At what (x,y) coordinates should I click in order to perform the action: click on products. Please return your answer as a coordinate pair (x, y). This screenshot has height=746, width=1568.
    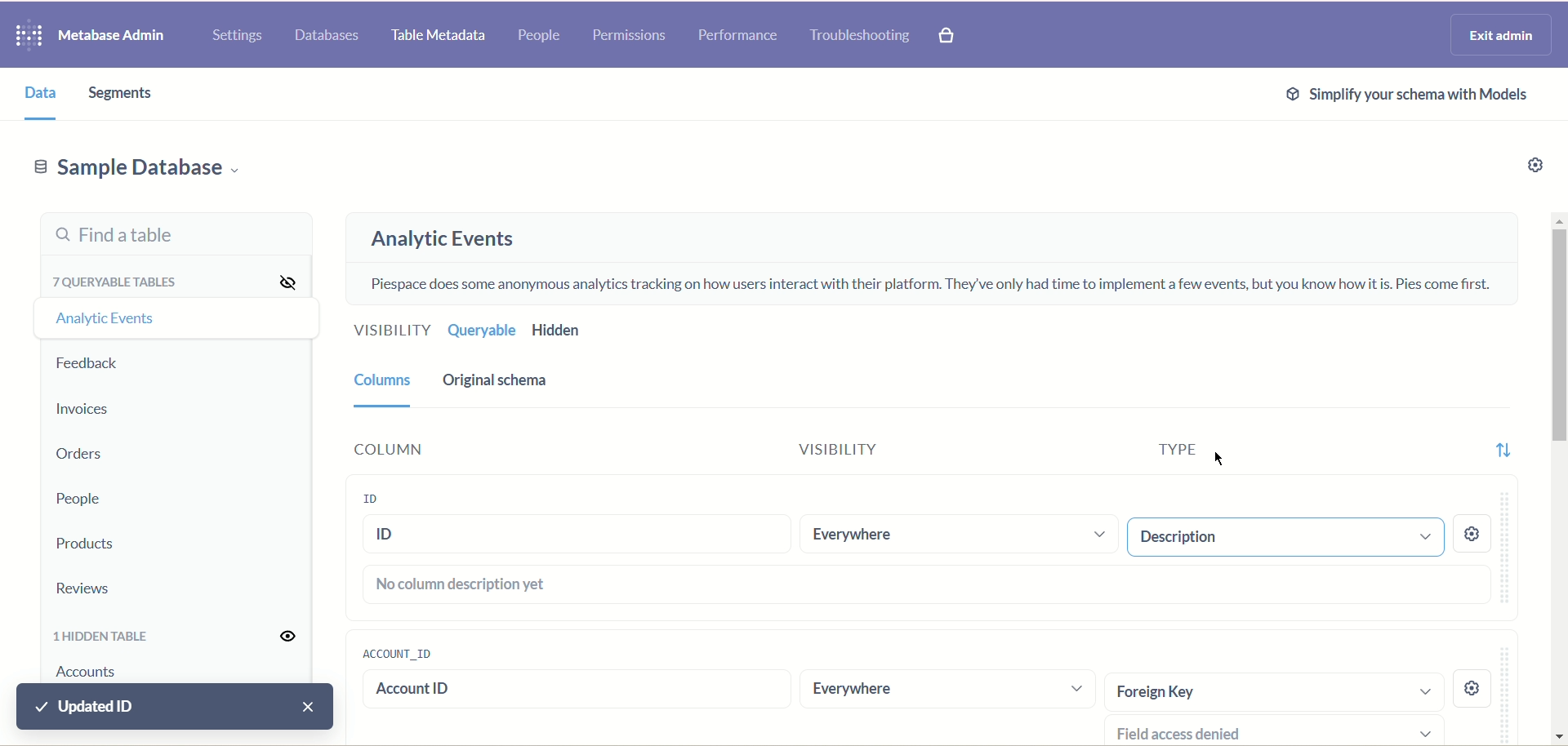
    Looking at the image, I should click on (87, 545).